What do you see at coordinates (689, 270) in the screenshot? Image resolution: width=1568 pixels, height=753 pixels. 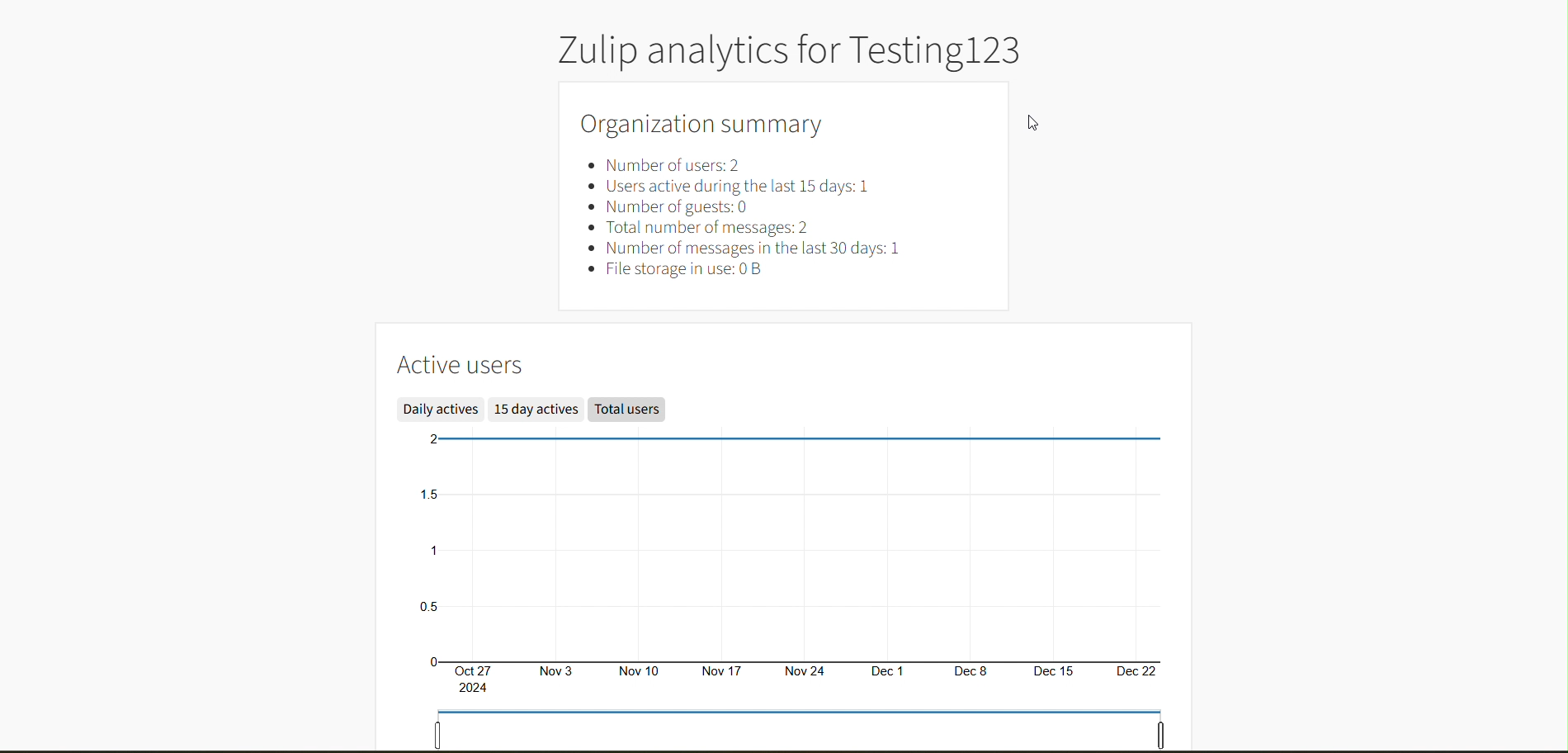 I see `File storage in use: 0B` at bounding box center [689, 270].